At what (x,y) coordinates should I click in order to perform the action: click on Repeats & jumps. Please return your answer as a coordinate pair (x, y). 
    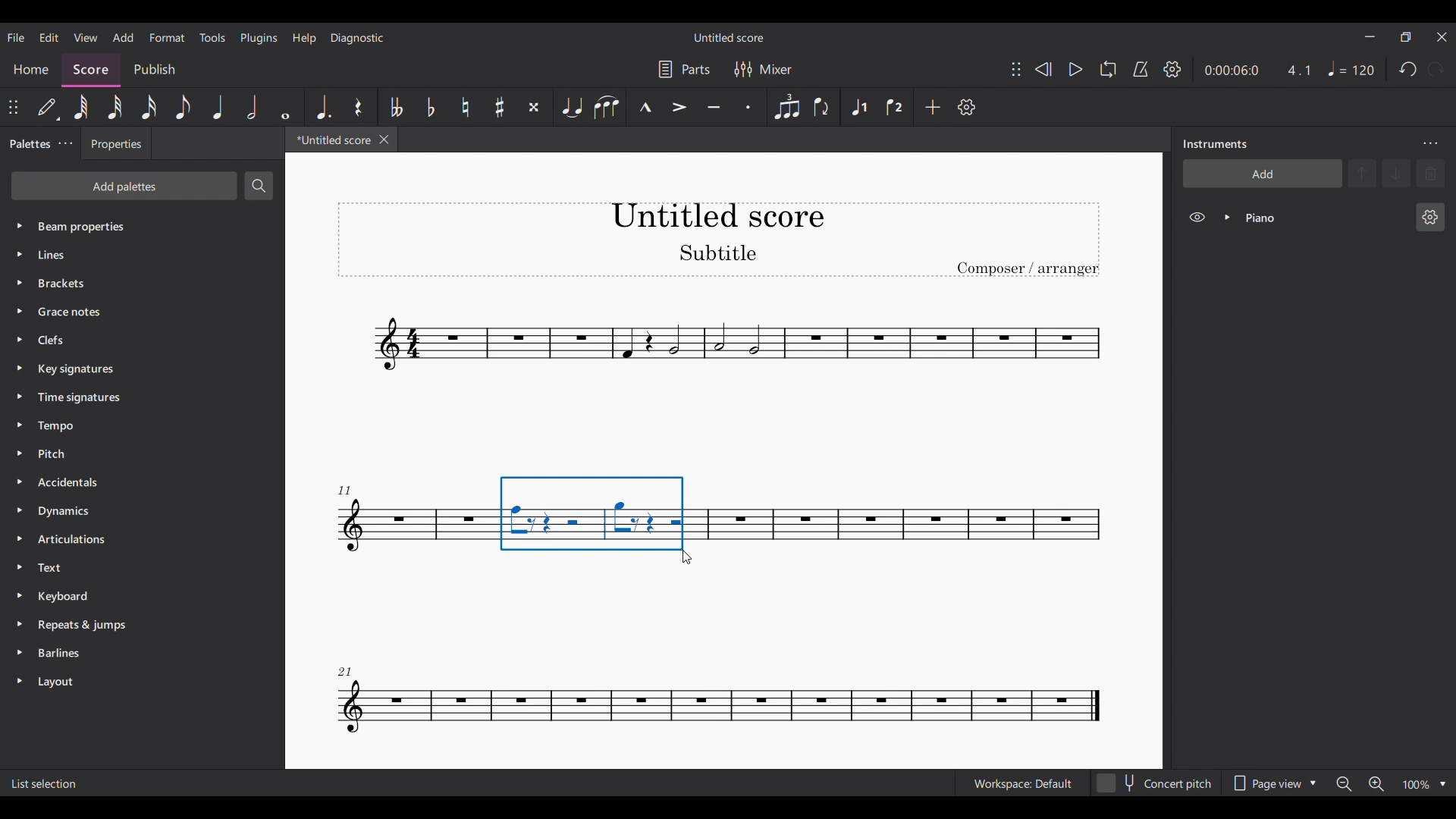
    Looking at the image, I should click on (130, 624).